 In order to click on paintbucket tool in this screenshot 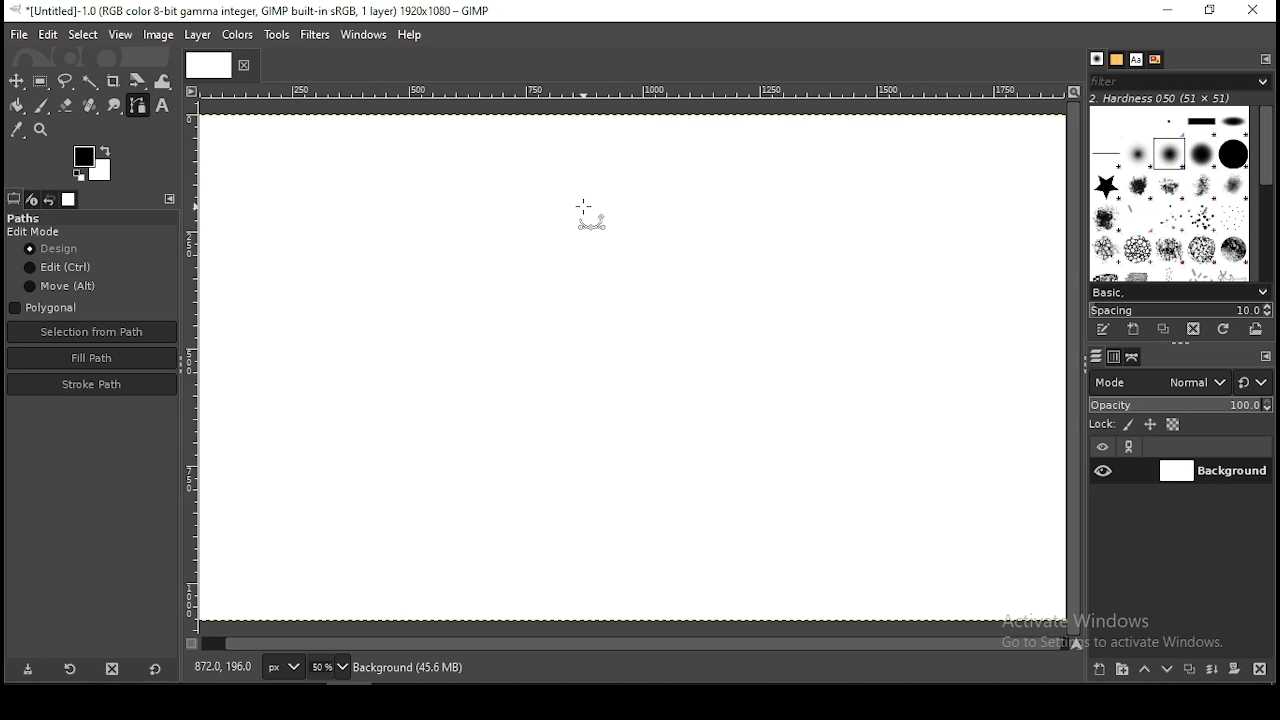, I will do `click(15, 107)`.